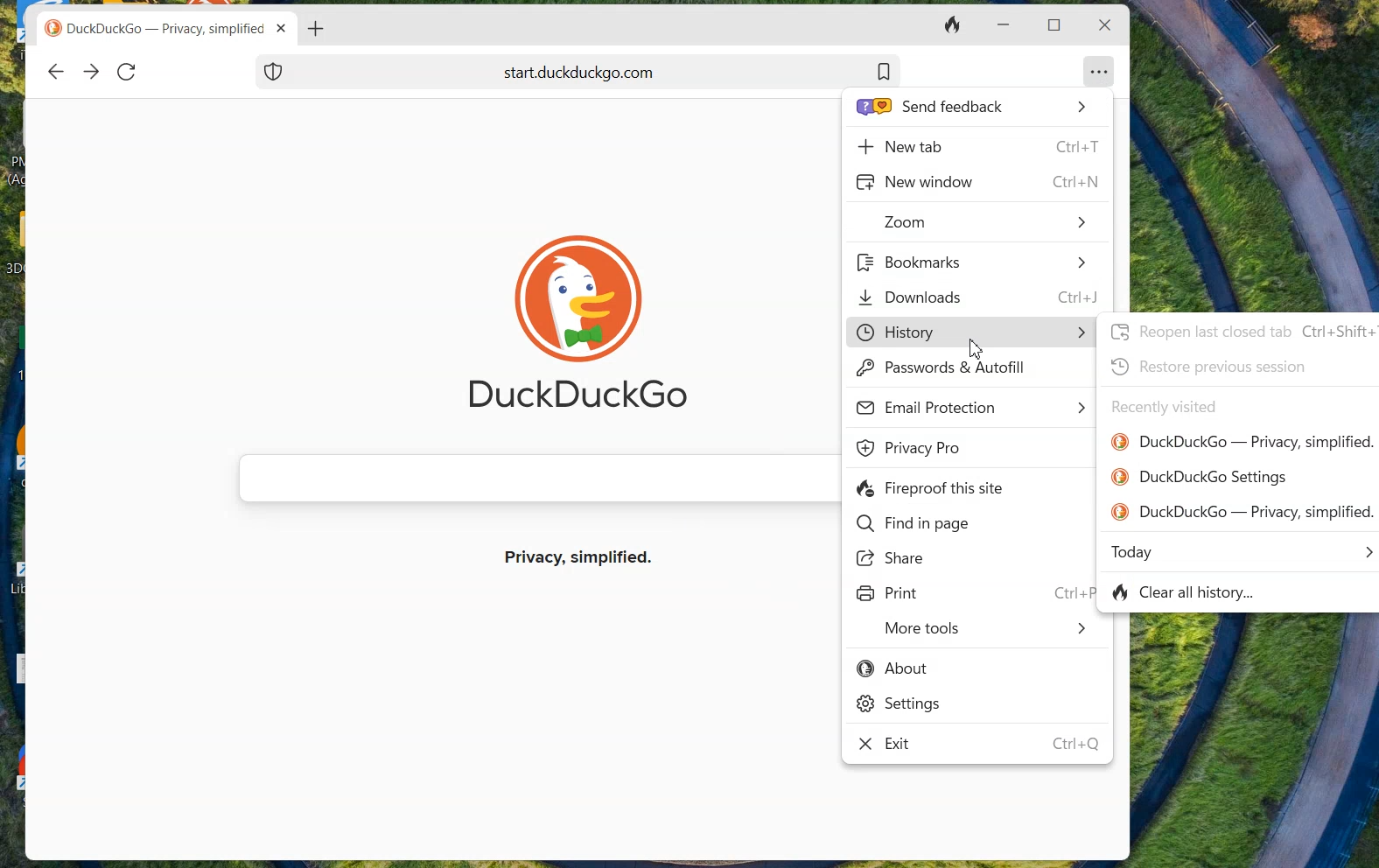 This screenshot has width=1379, height=868. I want to click on Privacy Pro, so click(913, 449).